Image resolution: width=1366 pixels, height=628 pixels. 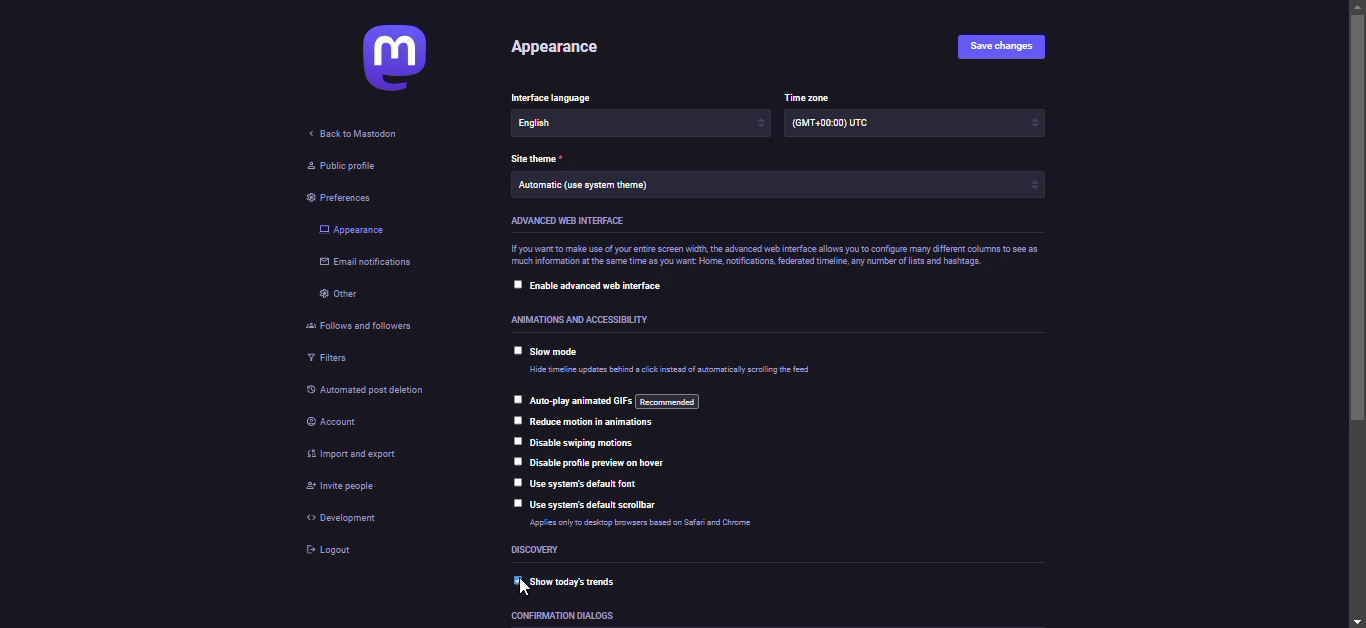 What do you see at coordinates (360, 327) in the screenshot?
I see `follows and followers` at bounding box center [360, 327].